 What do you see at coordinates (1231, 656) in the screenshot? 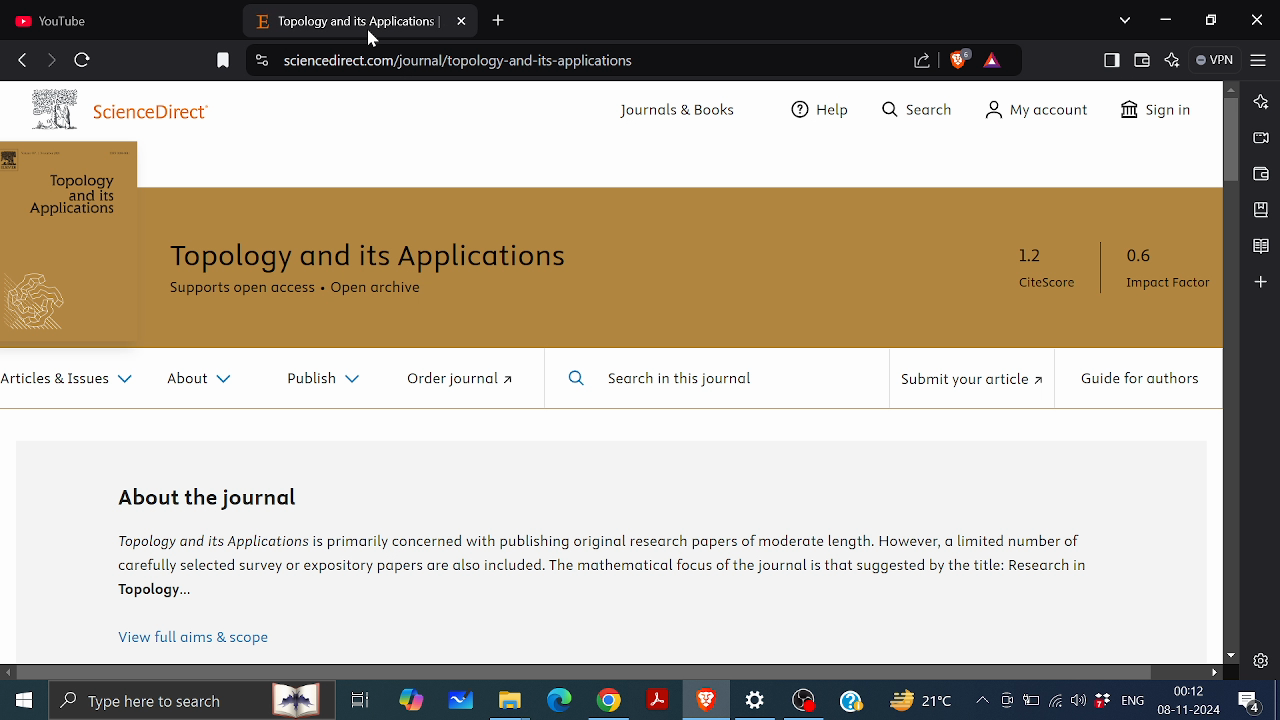
I see `Move down` at bounding box center [1231, 656].